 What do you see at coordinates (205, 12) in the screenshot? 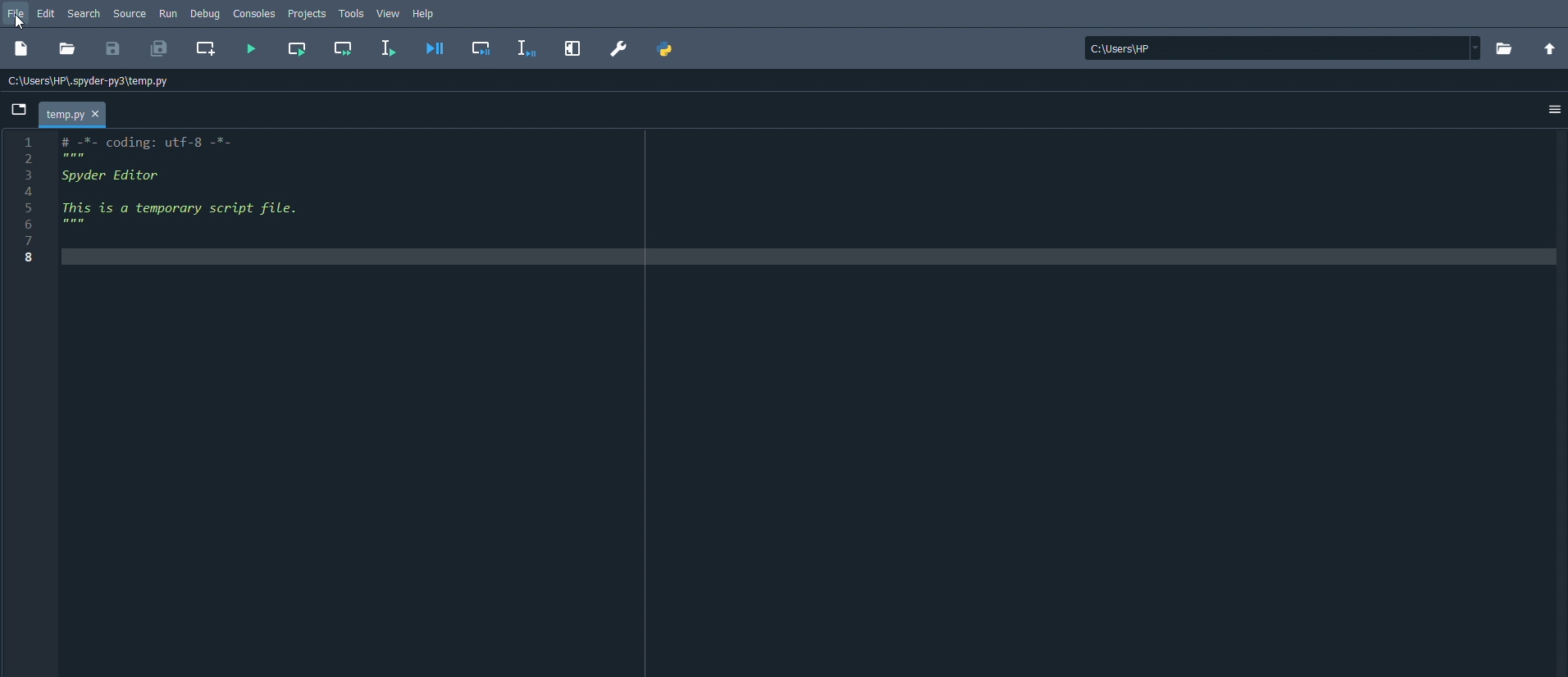
I see `Debug` at bounding box center [205, 12].